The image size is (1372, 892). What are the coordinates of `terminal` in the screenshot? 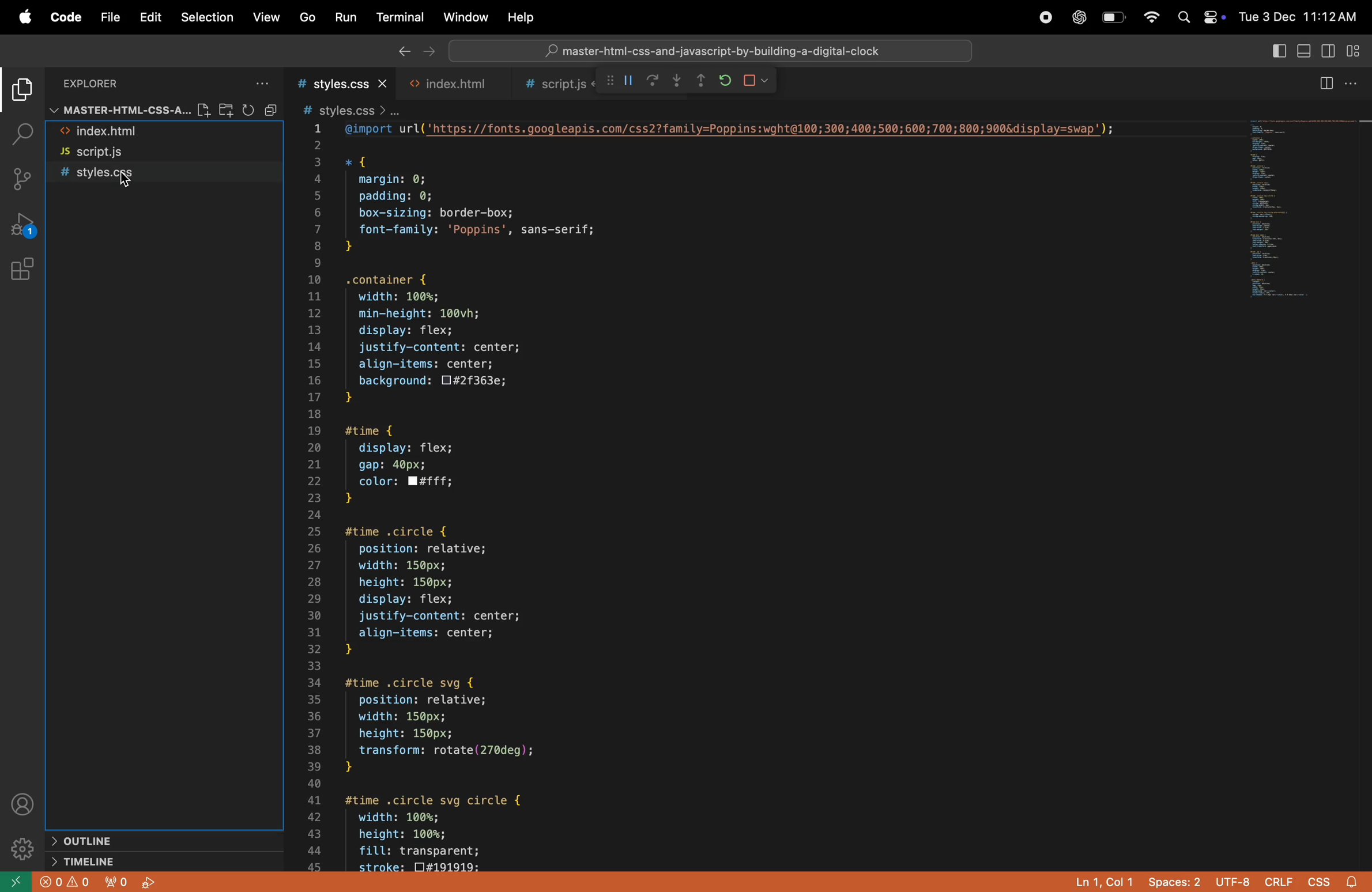 It's located at (398, 16).